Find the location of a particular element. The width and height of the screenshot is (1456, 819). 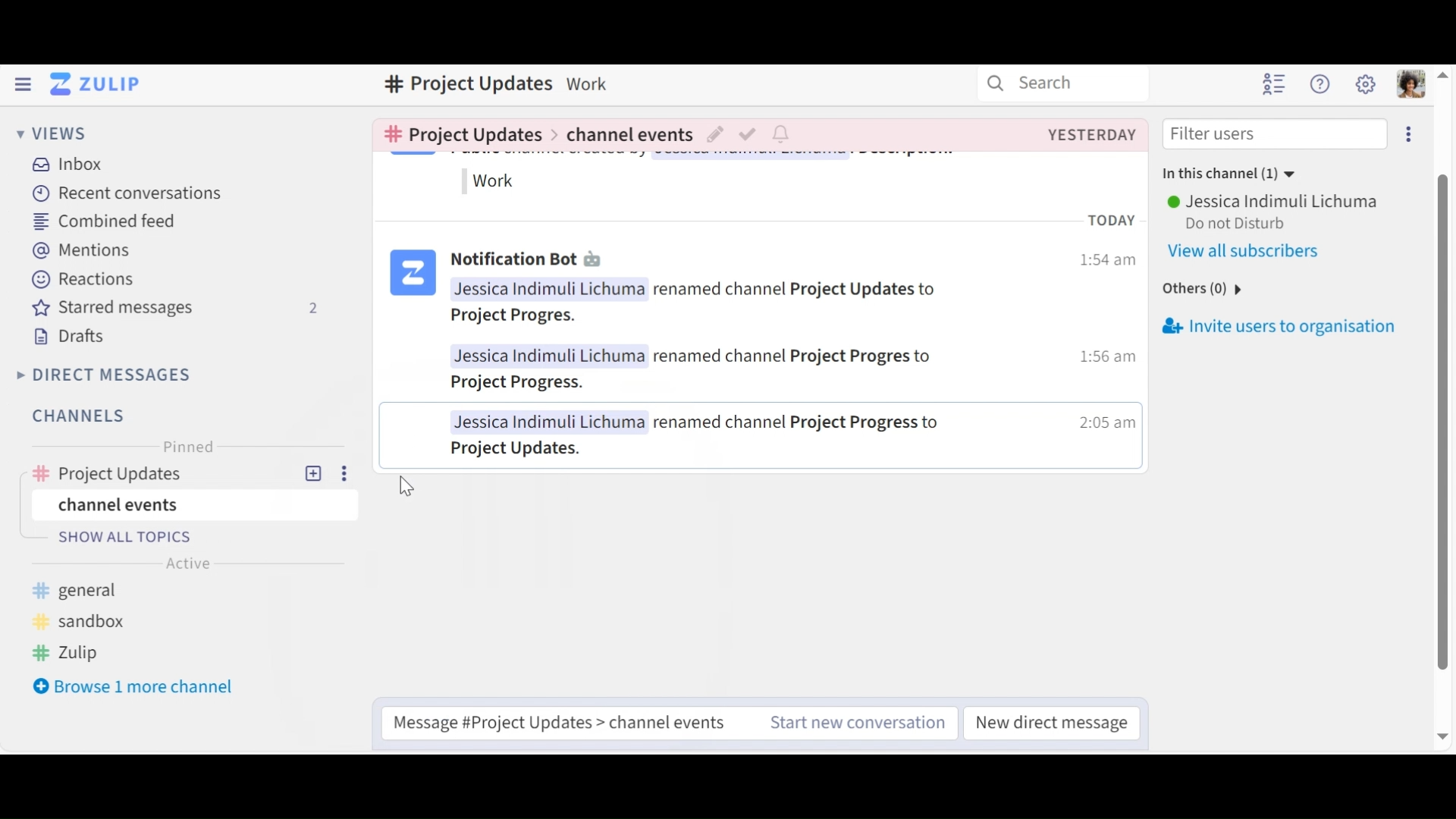

Channel events is located at coordinates (194, 503).